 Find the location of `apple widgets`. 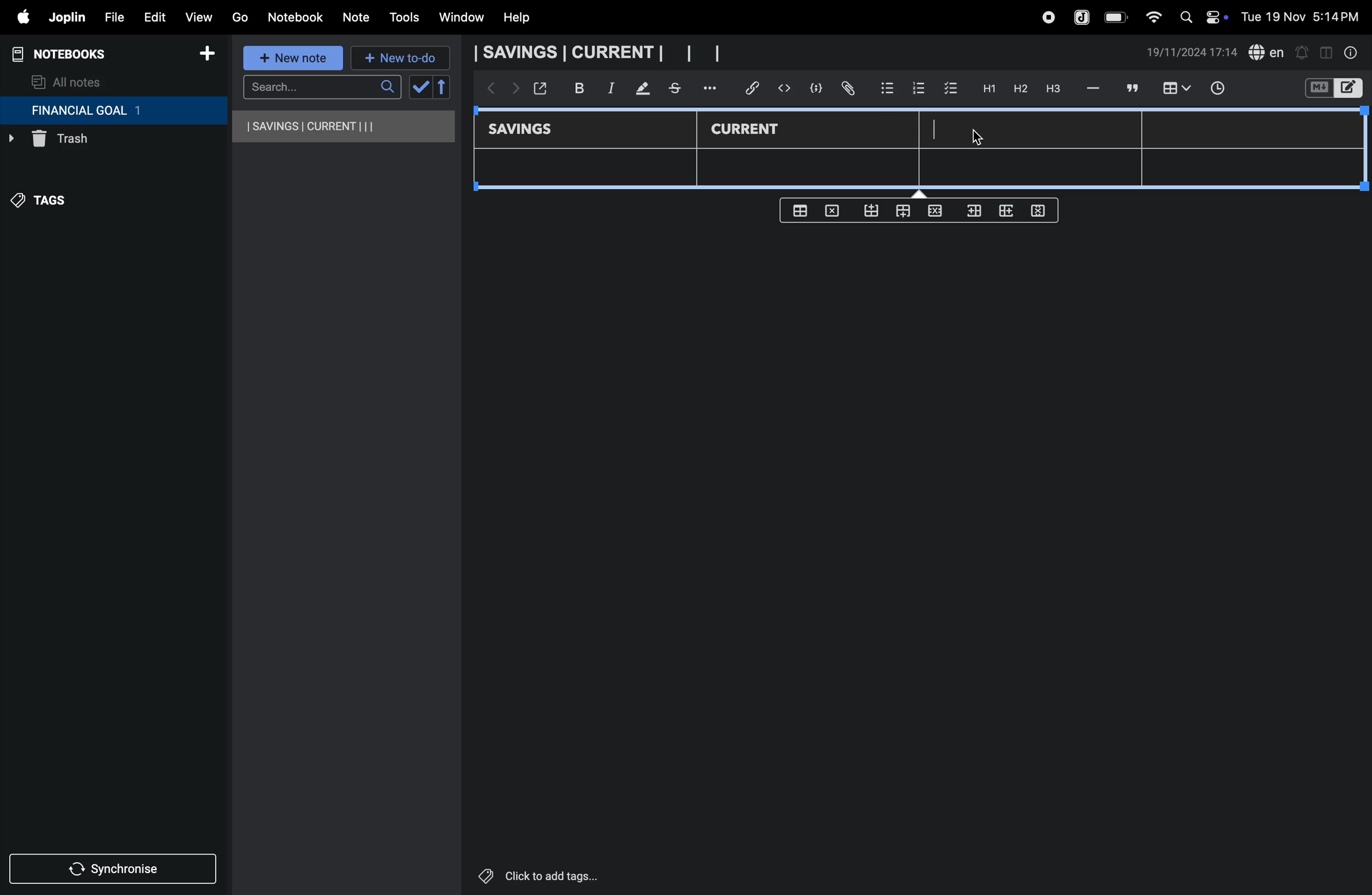

apple widgets is located at coordinates (1201, 16).